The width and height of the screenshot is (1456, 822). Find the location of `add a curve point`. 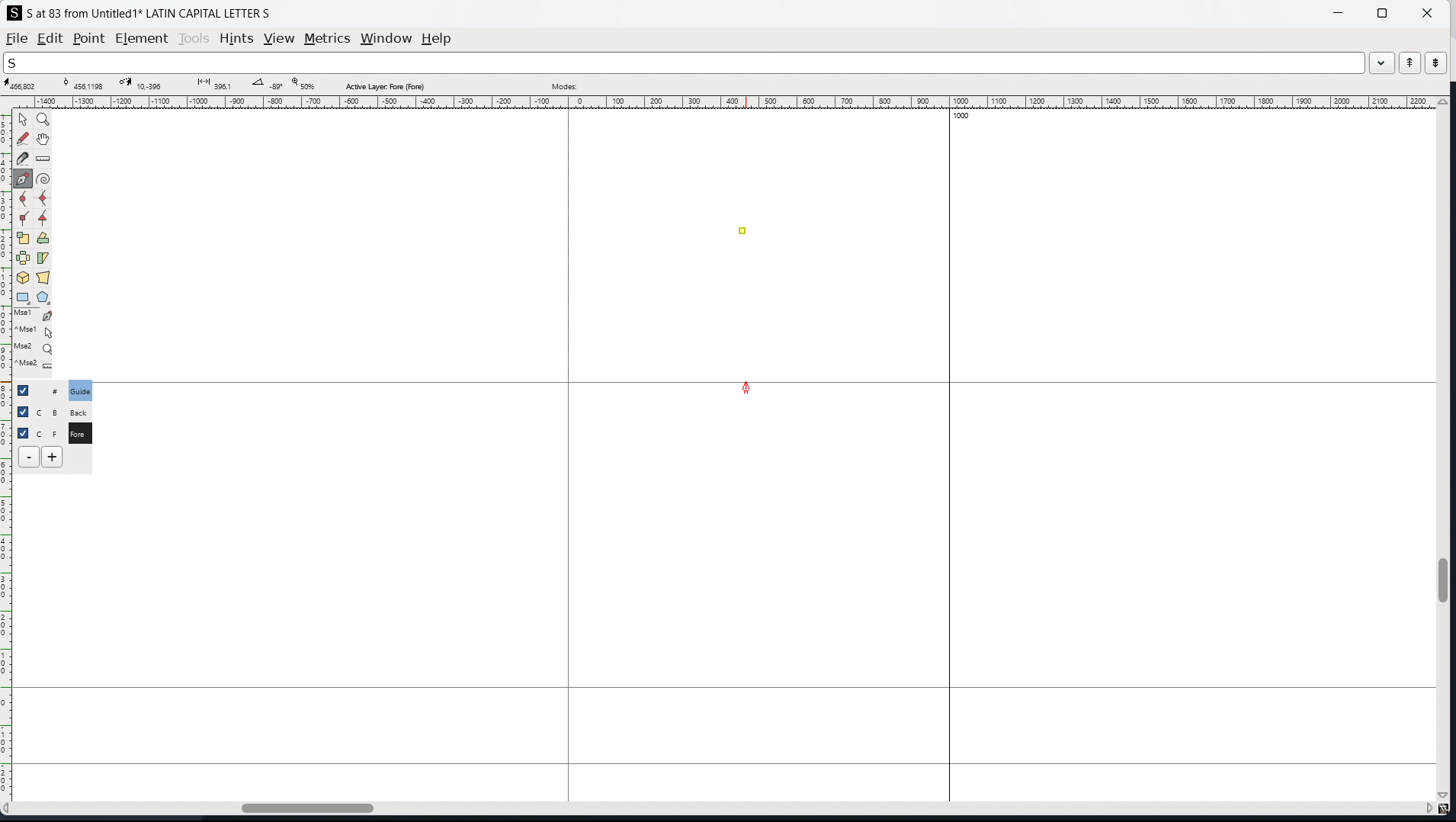

add a curve point is located at coordinates (24, 199).